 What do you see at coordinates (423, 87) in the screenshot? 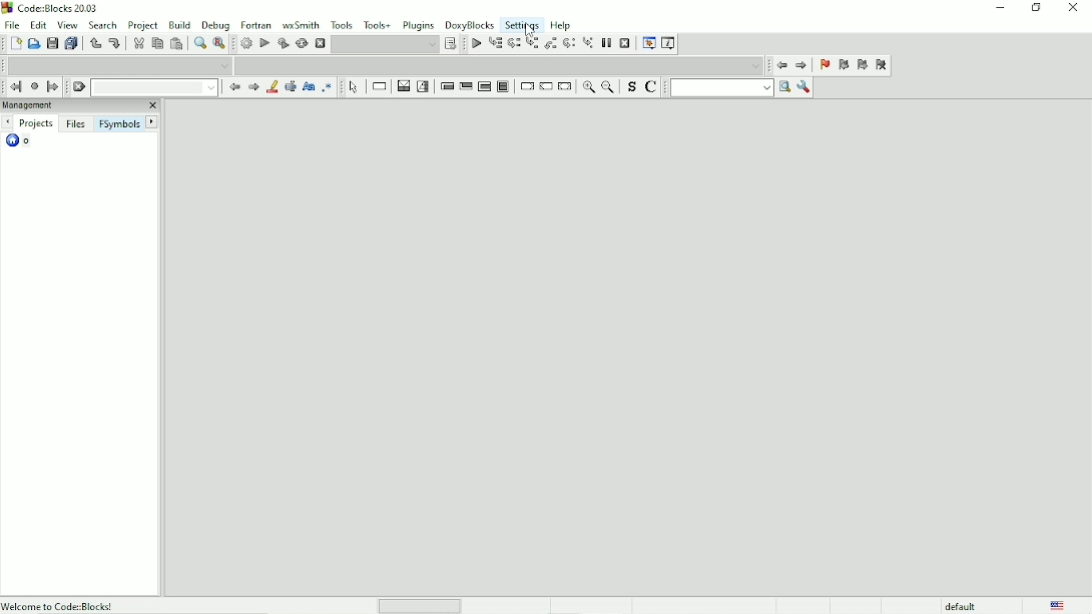
I see `Selection` at bounding box center [423, 87].